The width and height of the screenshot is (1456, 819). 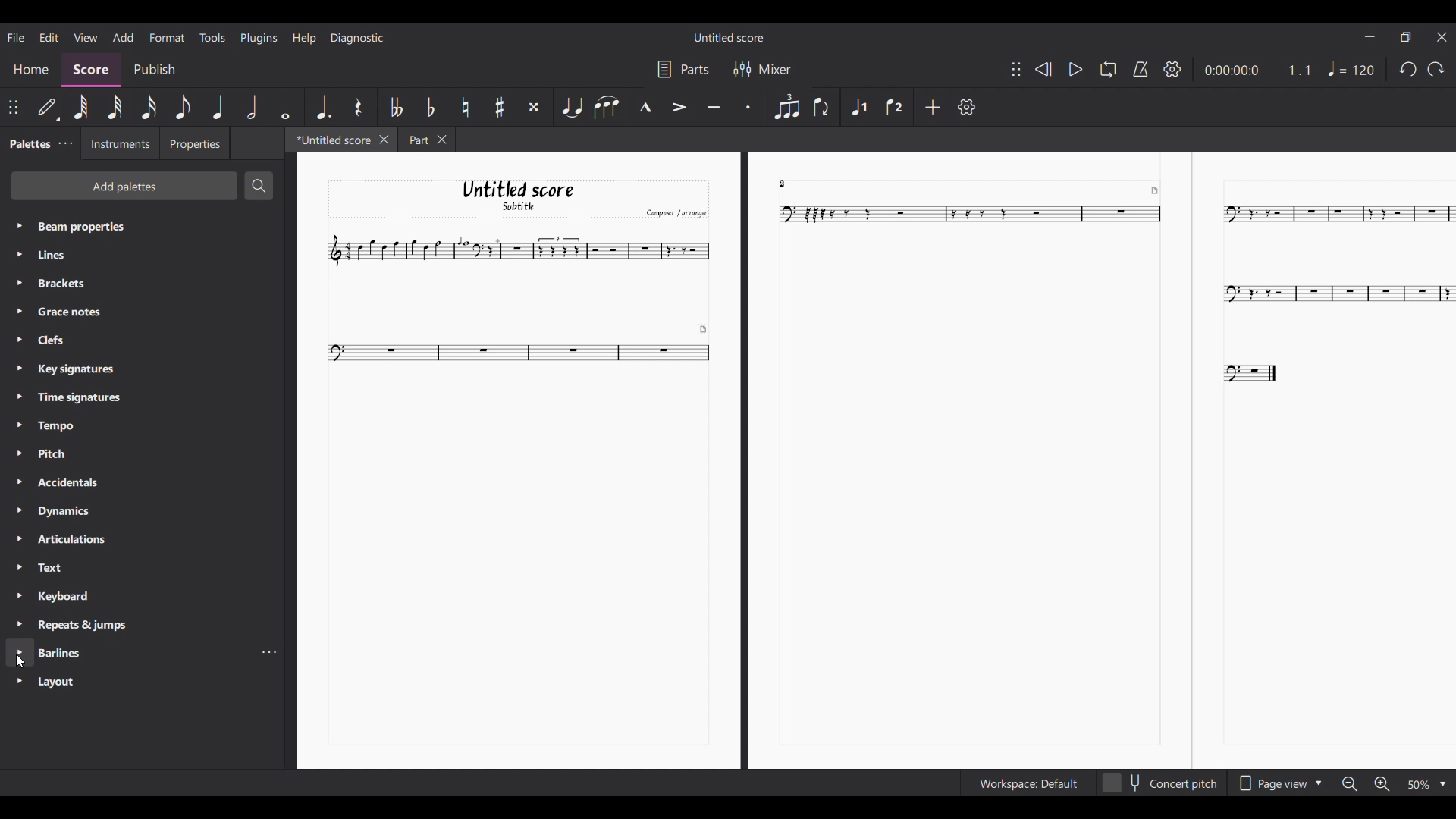 I want to click on File menu , so click(x=16, y=37).